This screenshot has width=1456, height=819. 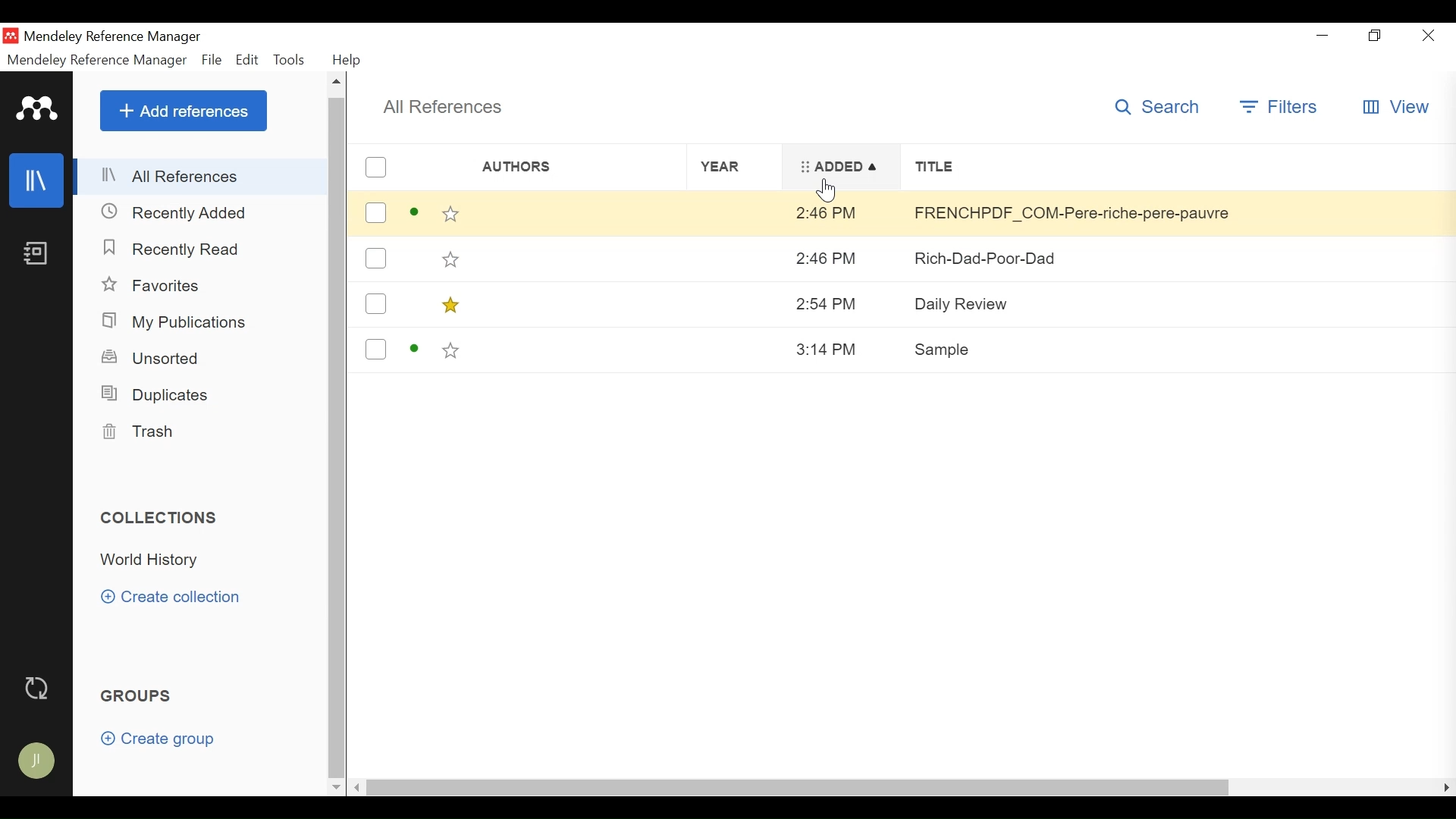 I want to click on View, so click(x=1396, y=108).